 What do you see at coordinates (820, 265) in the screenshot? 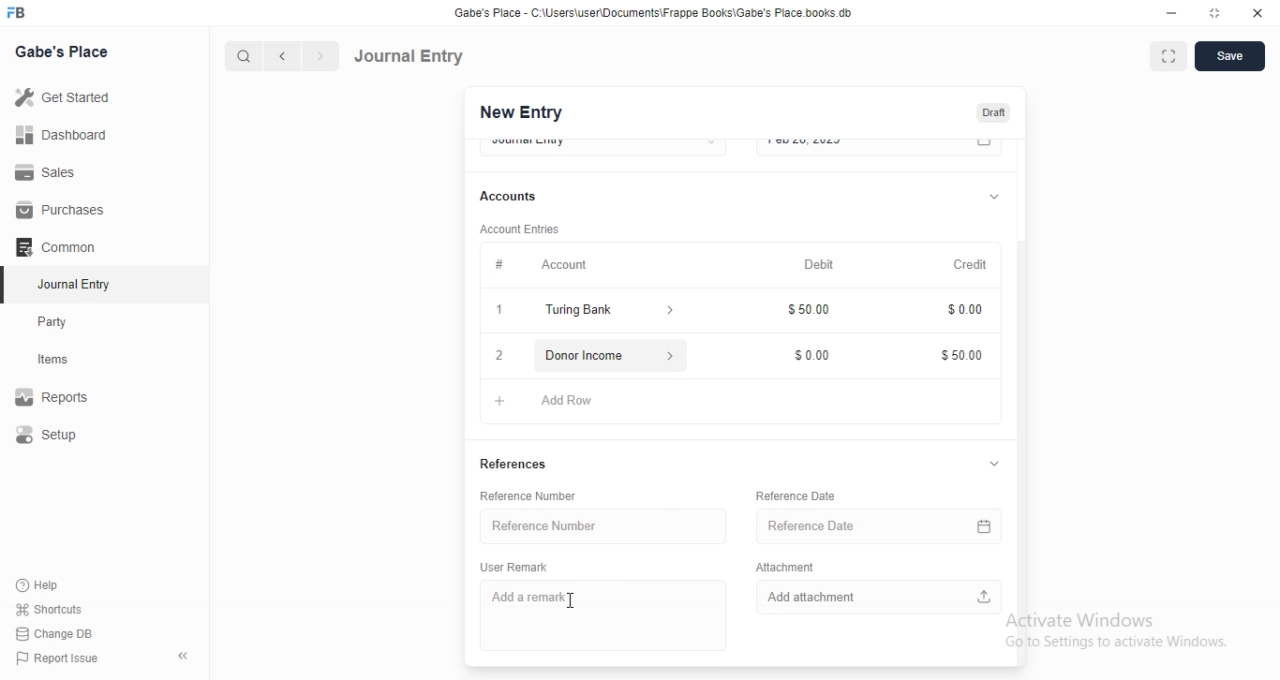
I see `Debit` at bounding box center [820, 265].